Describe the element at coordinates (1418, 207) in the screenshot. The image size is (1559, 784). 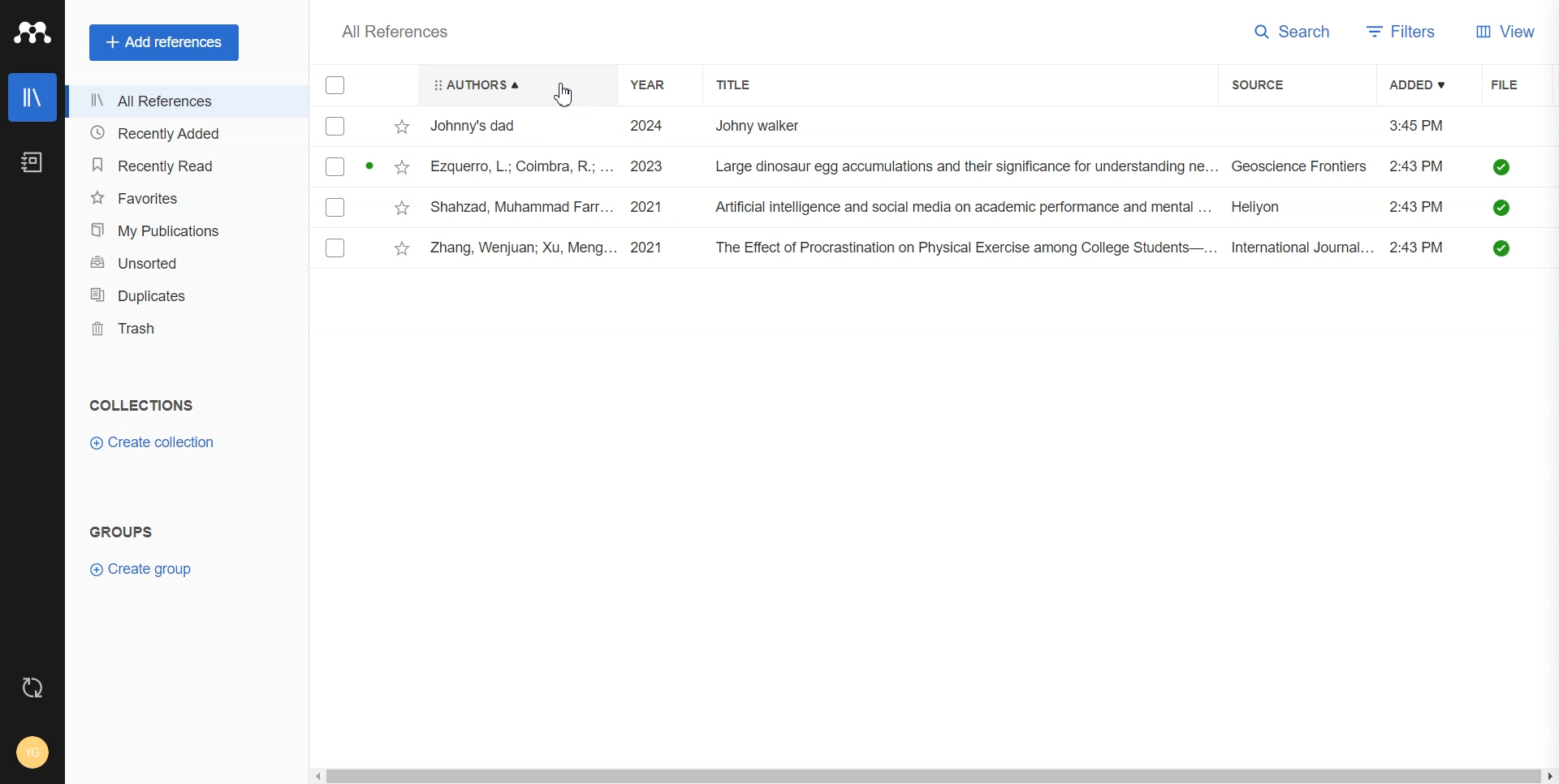
I see `2:43 PM` at that location.